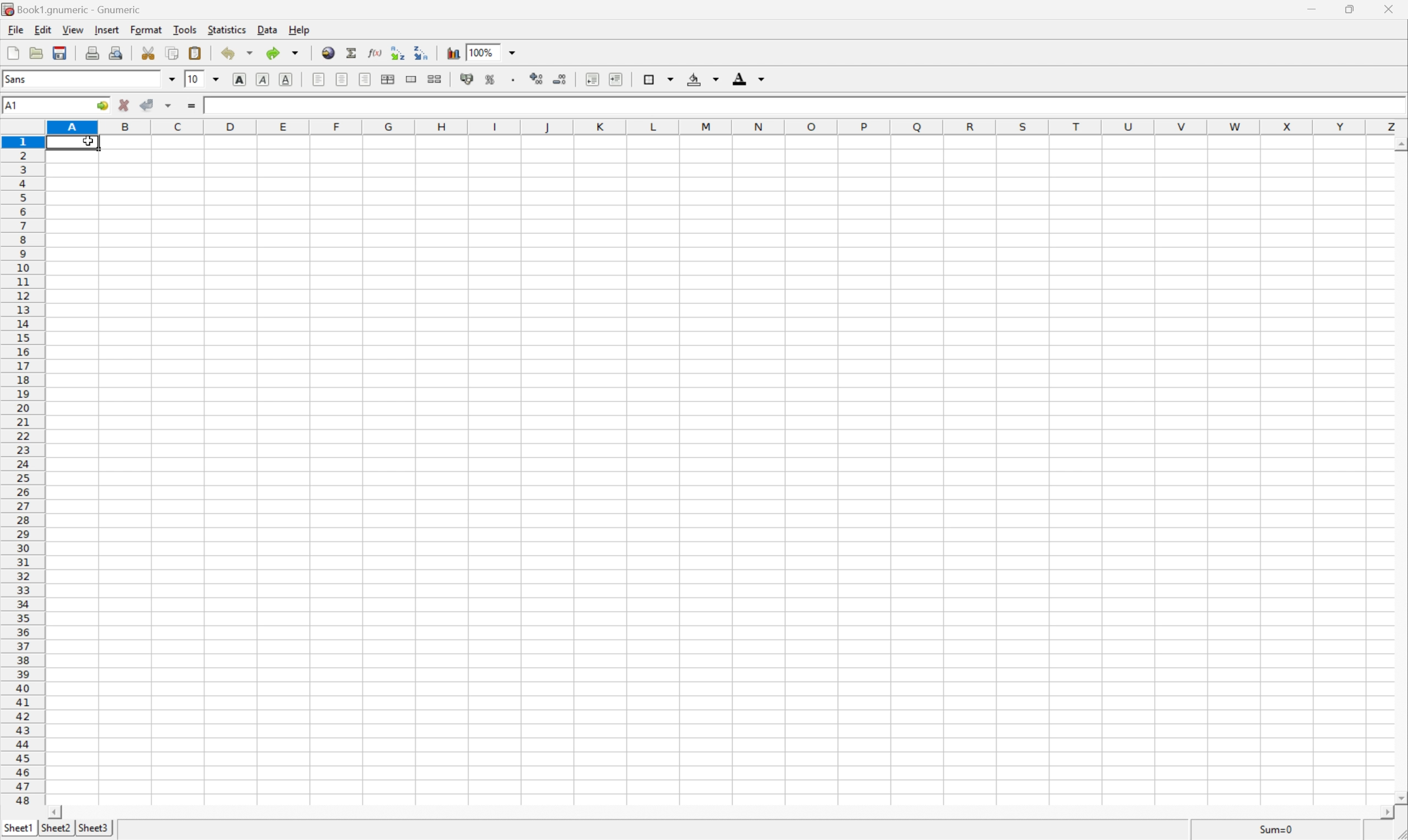  Describe the element at coordinates (236, 53) in the screenshot. I see `undo` at that location.